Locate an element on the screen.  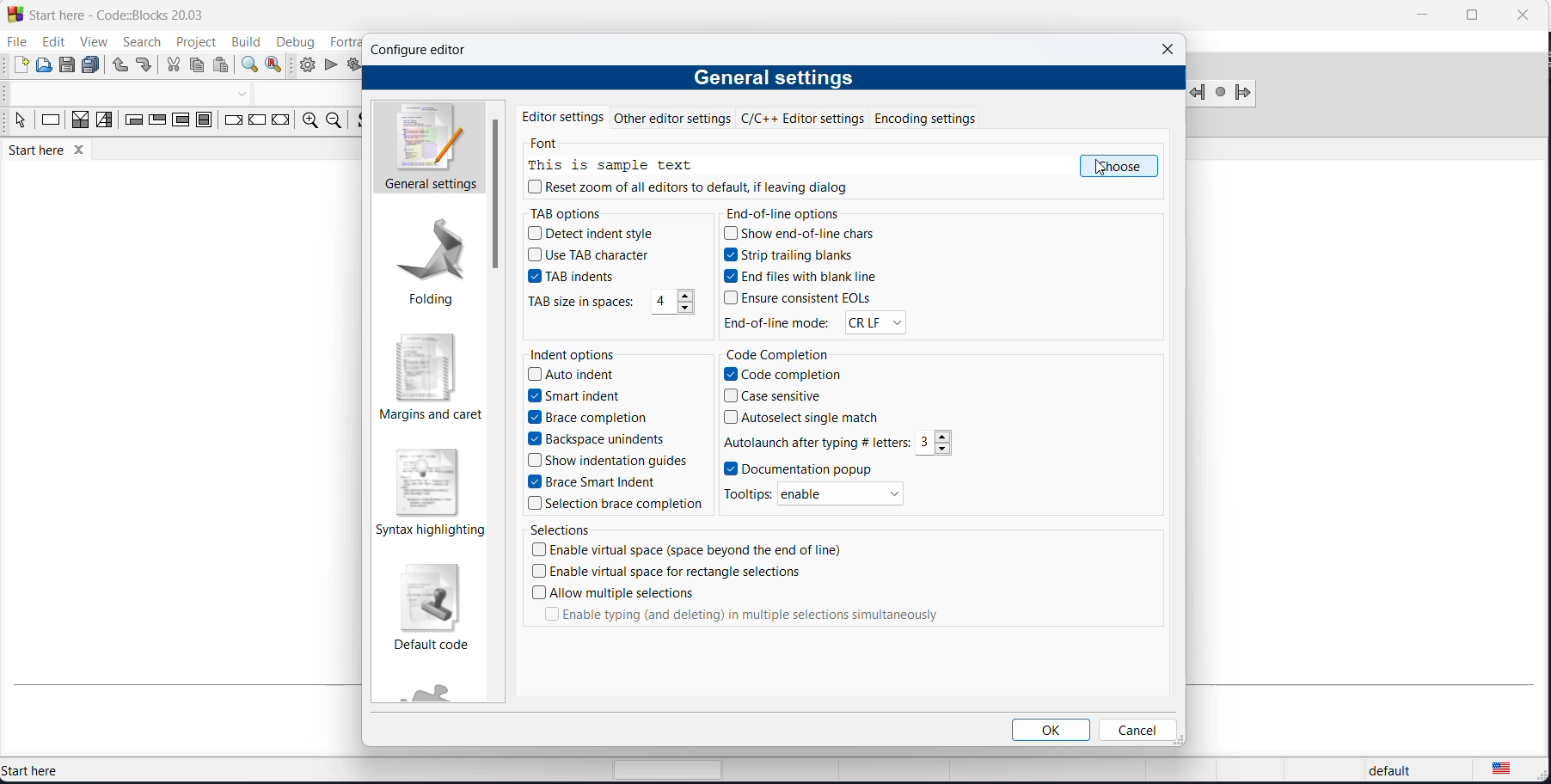
TAB indents is located at coordinates (579, 279).